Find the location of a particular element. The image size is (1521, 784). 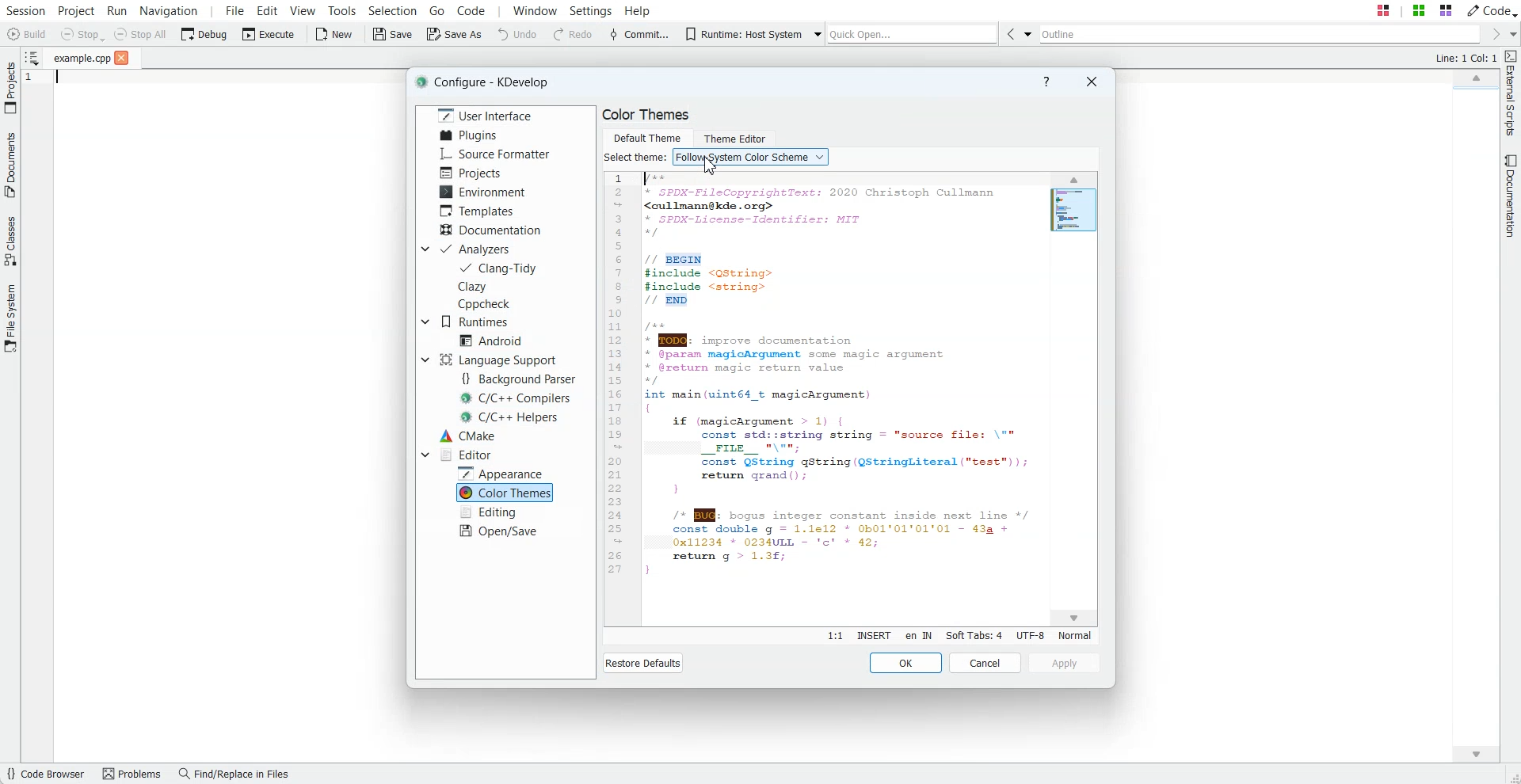

Drop Down box is located at coordinates (425, 322).